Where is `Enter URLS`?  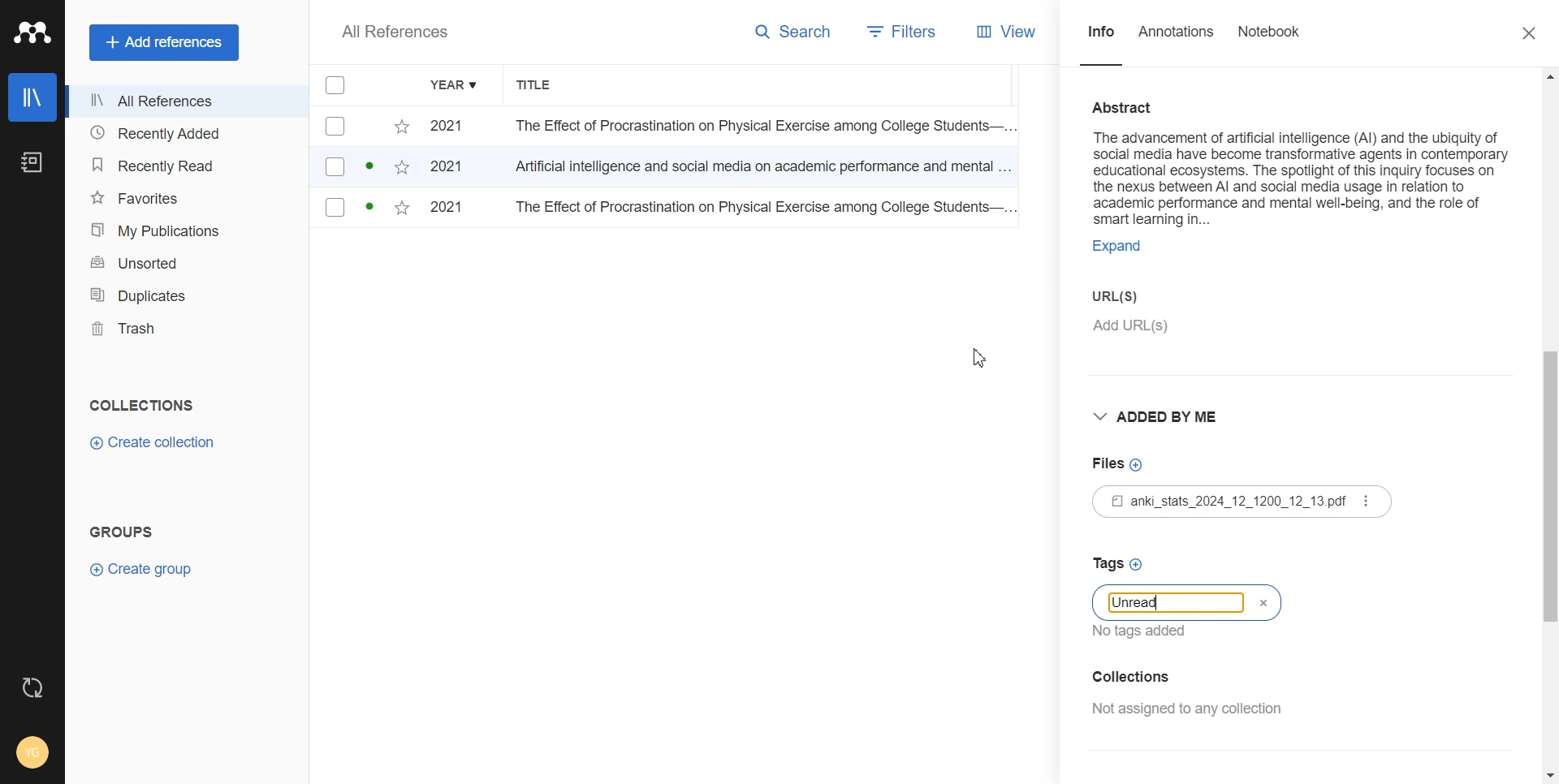 Enter URLS is located at coordinates (1134, 293).